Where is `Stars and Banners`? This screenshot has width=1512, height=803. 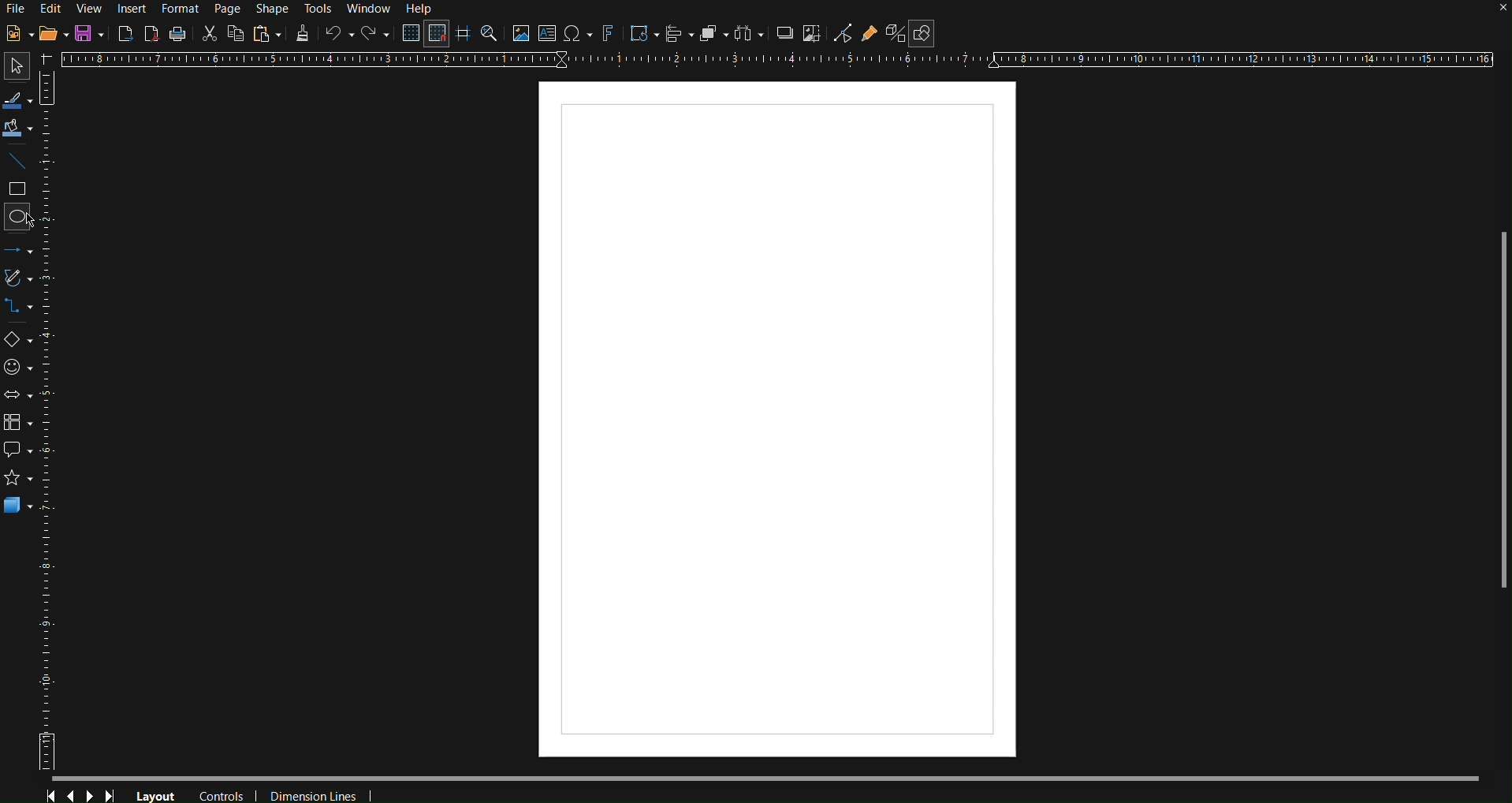 Stars and Banners is located at coordinates (22, 480).